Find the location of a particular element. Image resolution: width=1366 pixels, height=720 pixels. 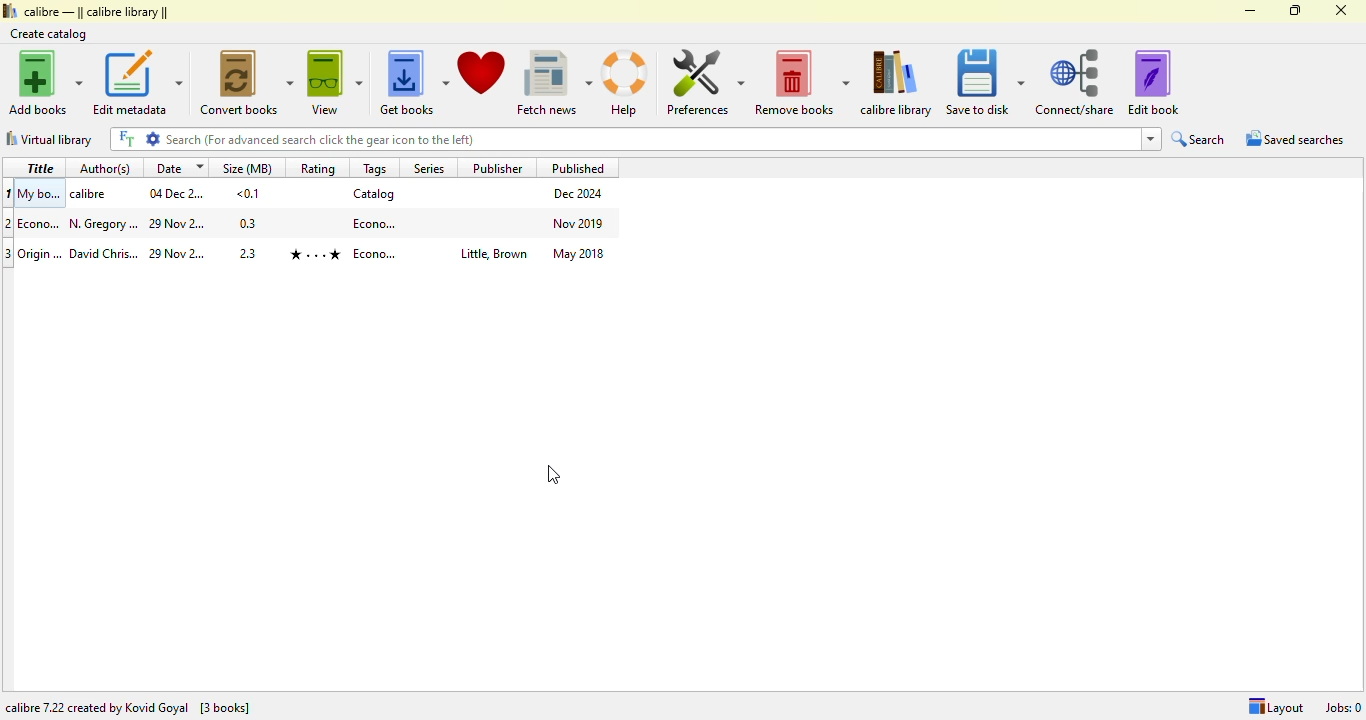

calibre library is located at coordinates (96, 13).